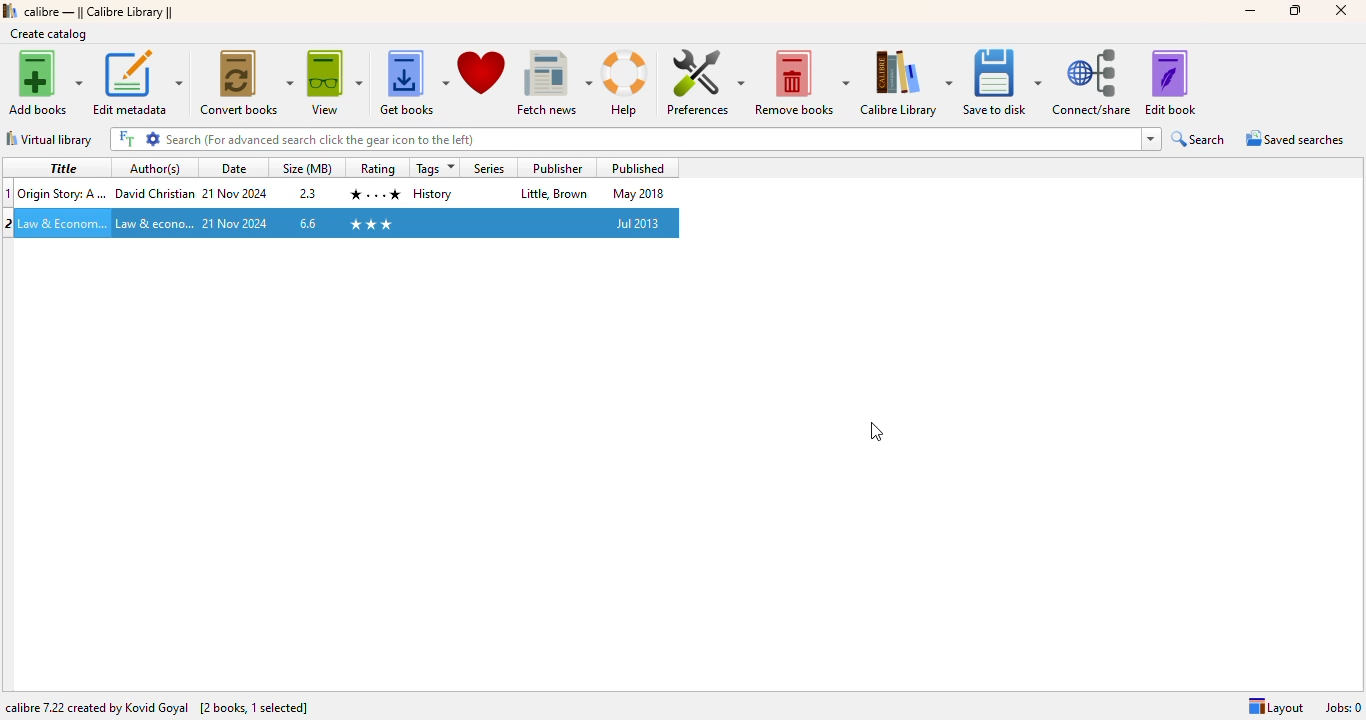  Describe the element at coordinates (48, 139) in the screenshot. I see `virtual library` at that location.